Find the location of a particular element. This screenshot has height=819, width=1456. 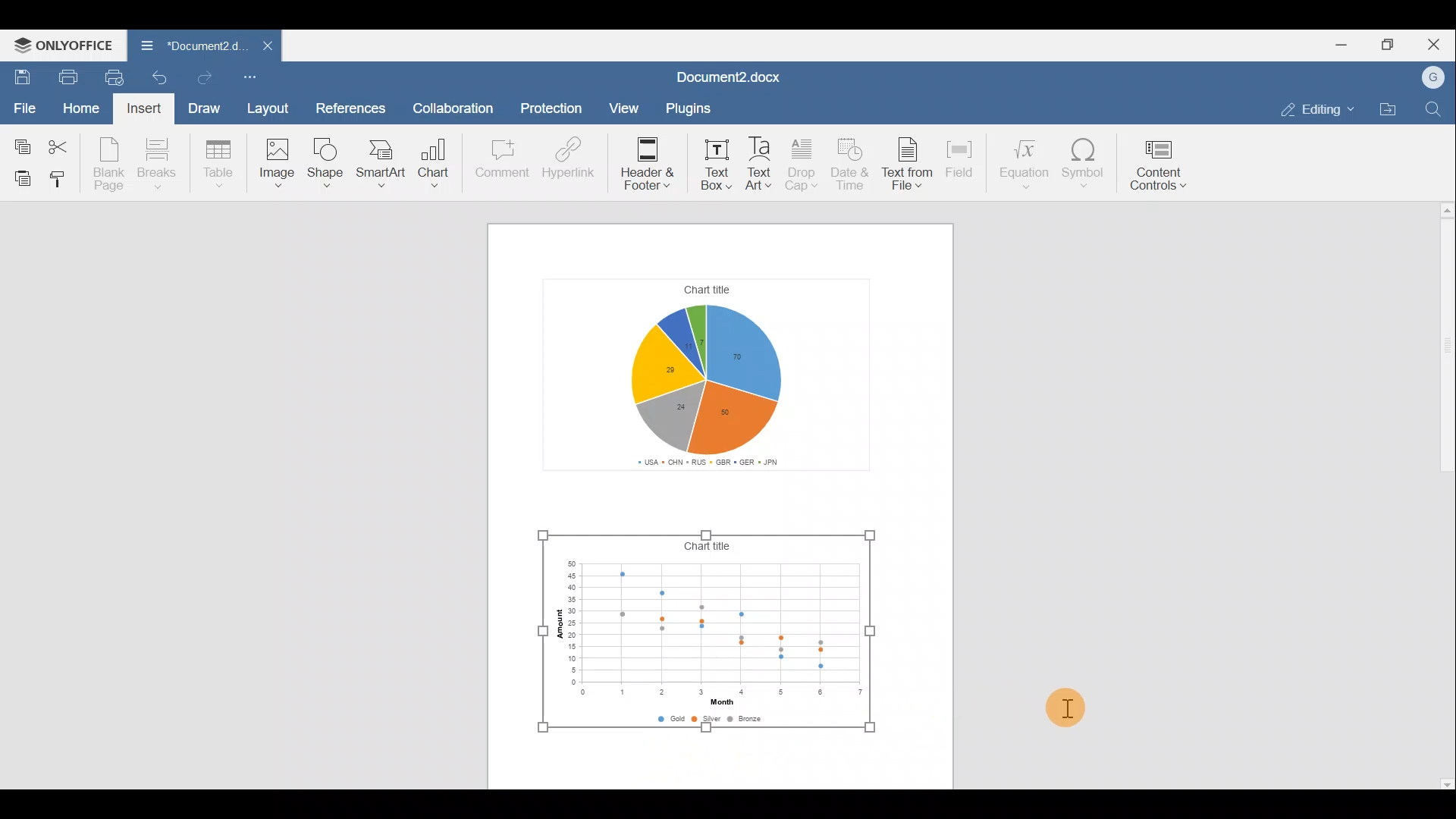

ONLYOFFICE Menu is located at coordinates (62, 45).